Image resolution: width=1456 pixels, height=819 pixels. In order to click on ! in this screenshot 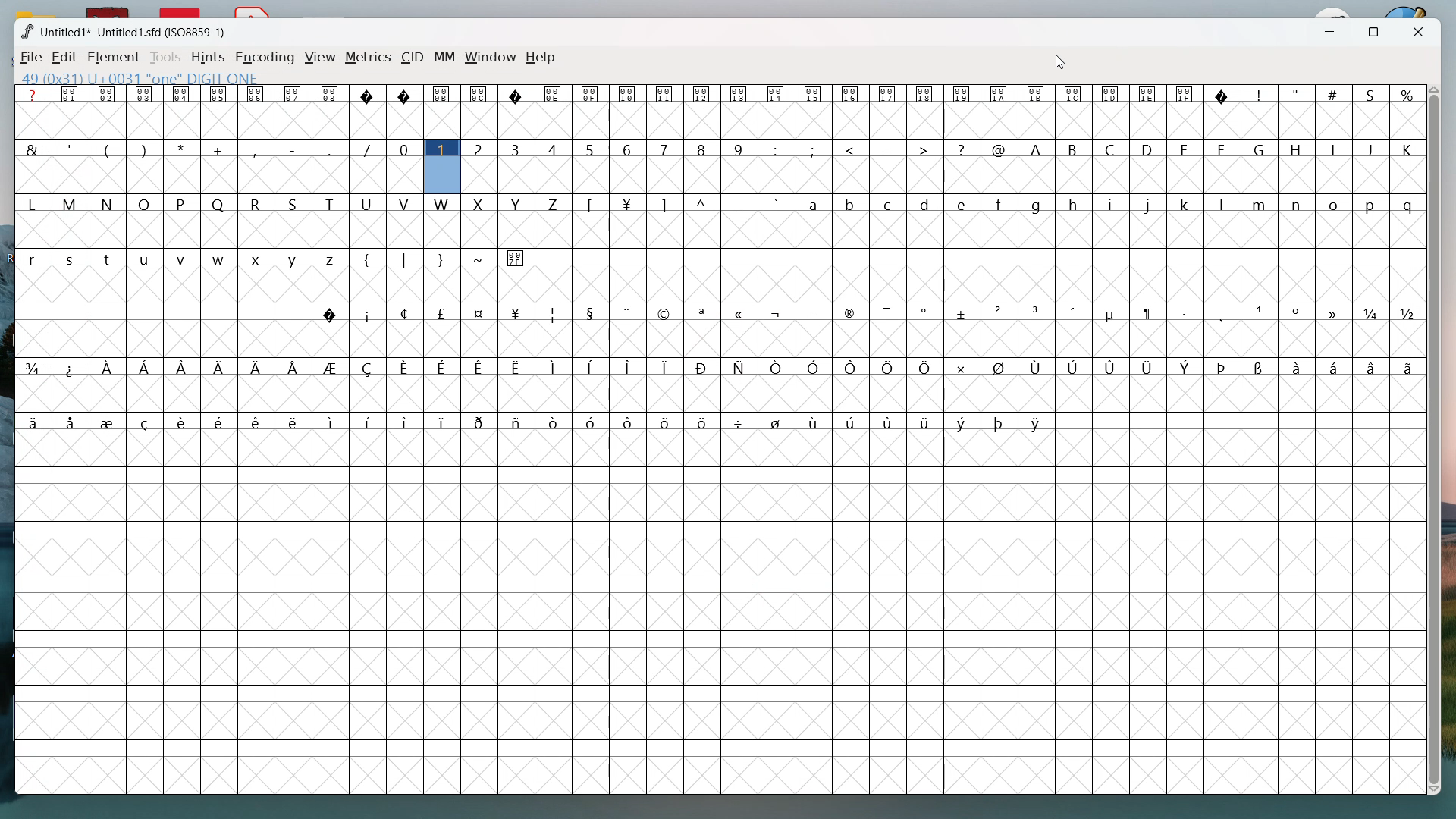, I will do `click(1260, 94)`.